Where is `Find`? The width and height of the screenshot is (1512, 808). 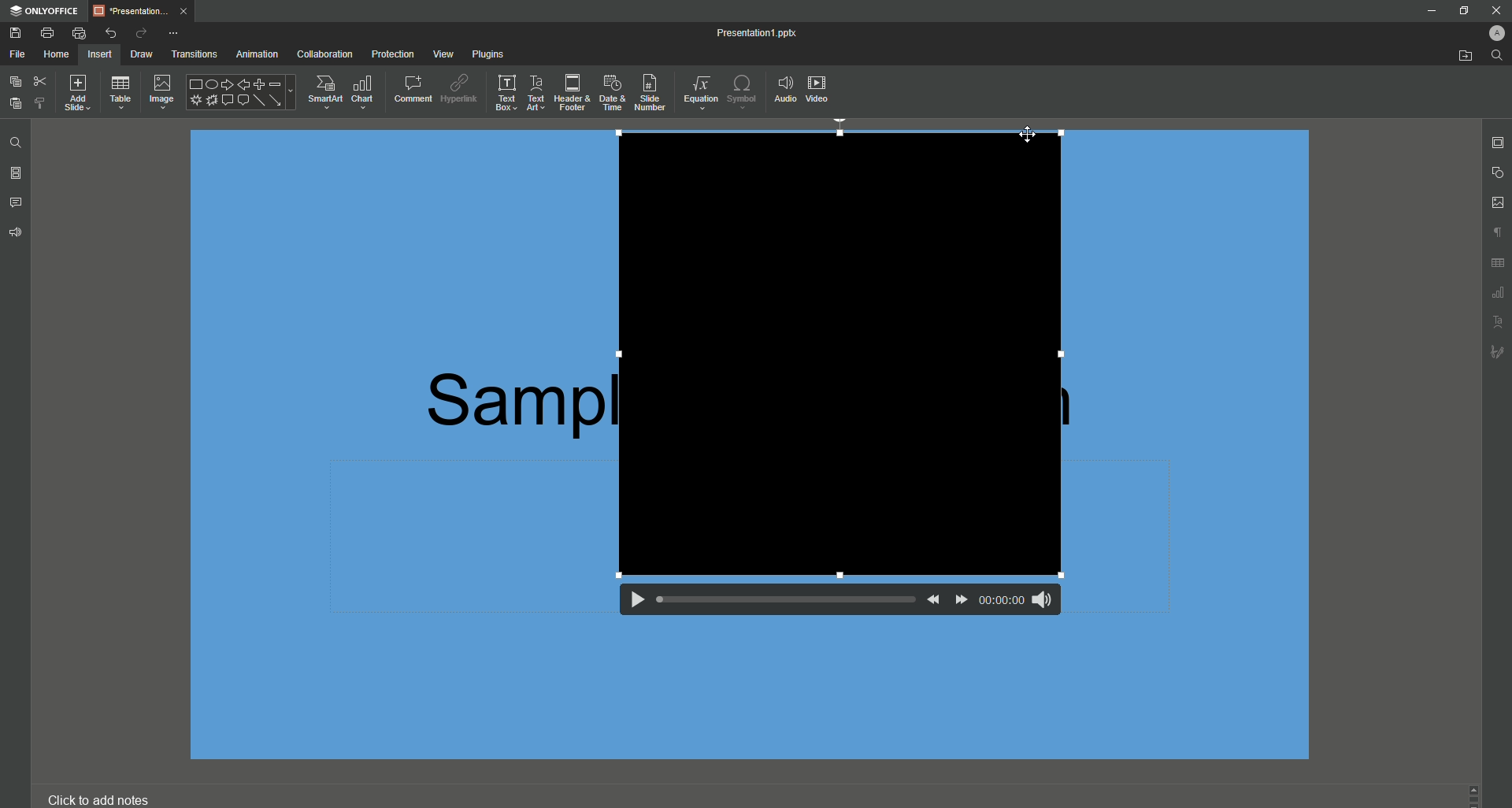 Find is located at coordinates (1495, 55).